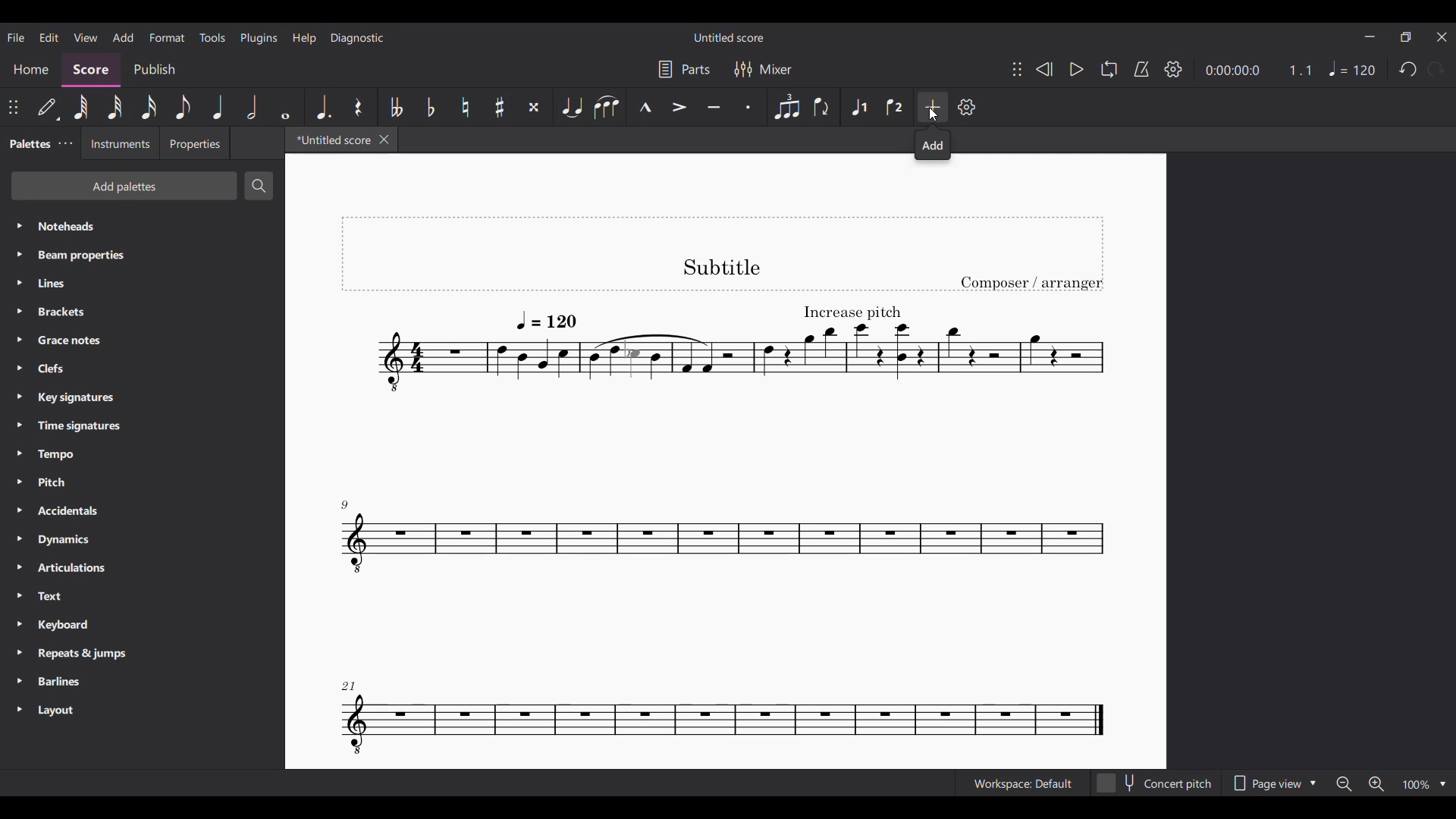 The image size is (1456, 819). Describe the element at coordinates (143, 682) in the screenshot. I see `Barlines` at that location.